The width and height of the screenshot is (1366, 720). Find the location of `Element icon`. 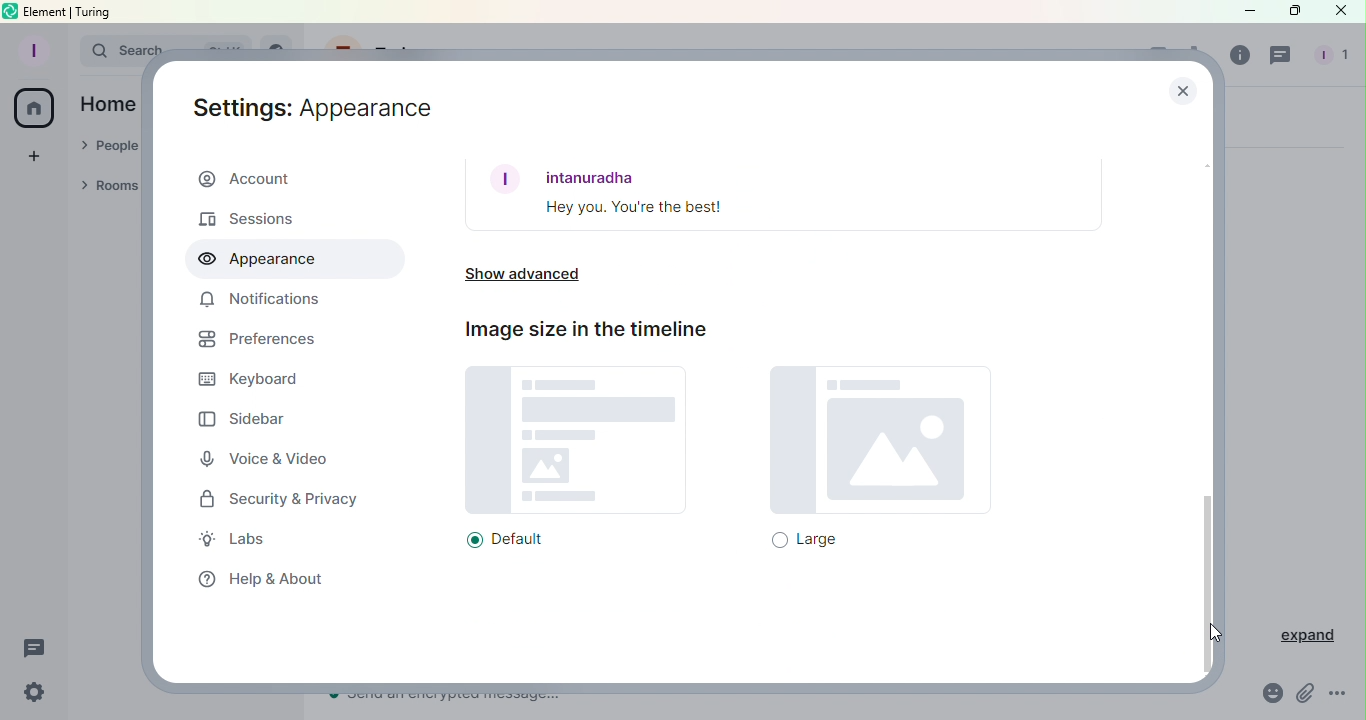

Element icon is located at coordinates (11, 11).